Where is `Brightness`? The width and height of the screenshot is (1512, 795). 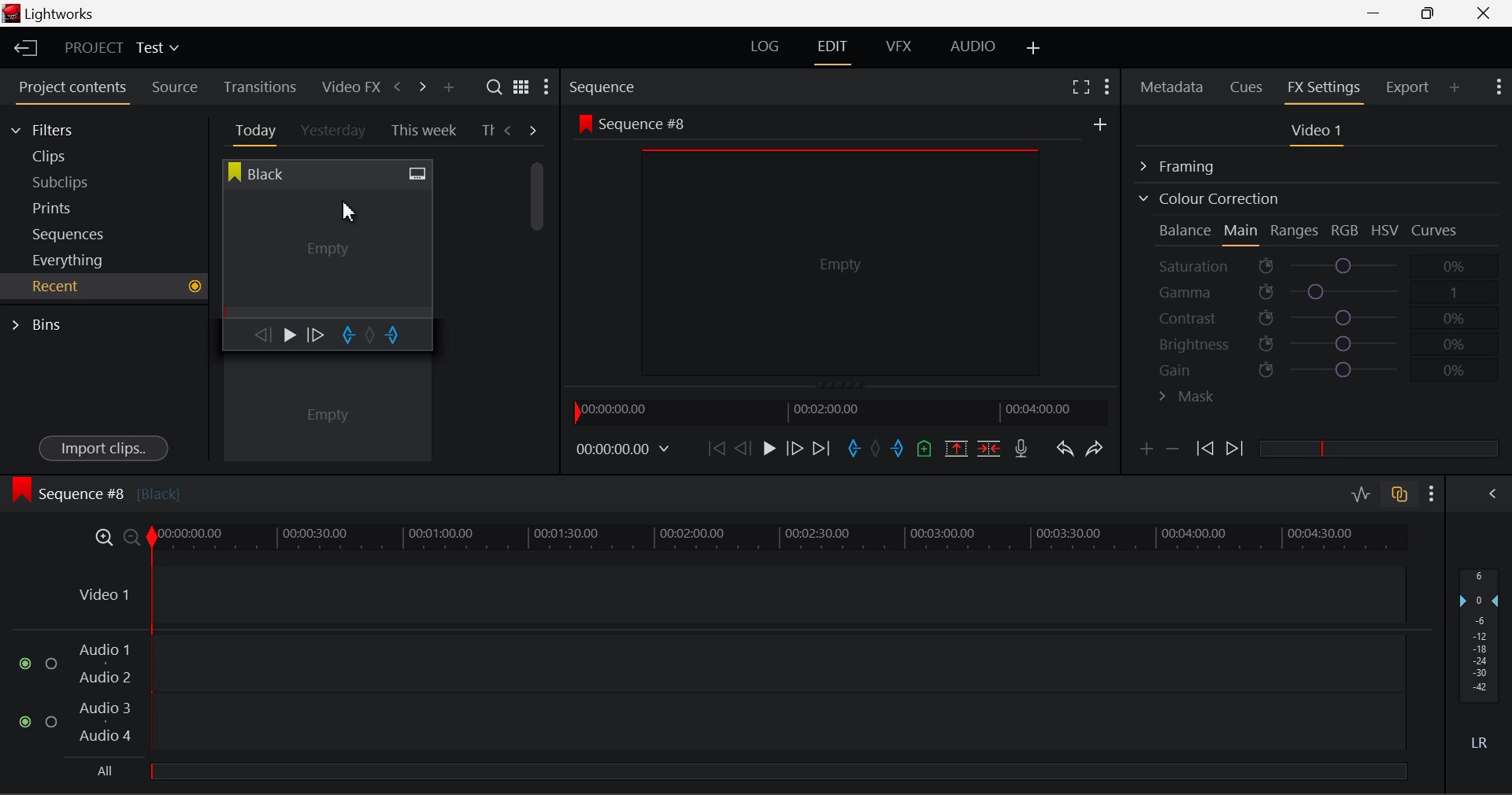
Brightness is located at coordinates (1318, 341).